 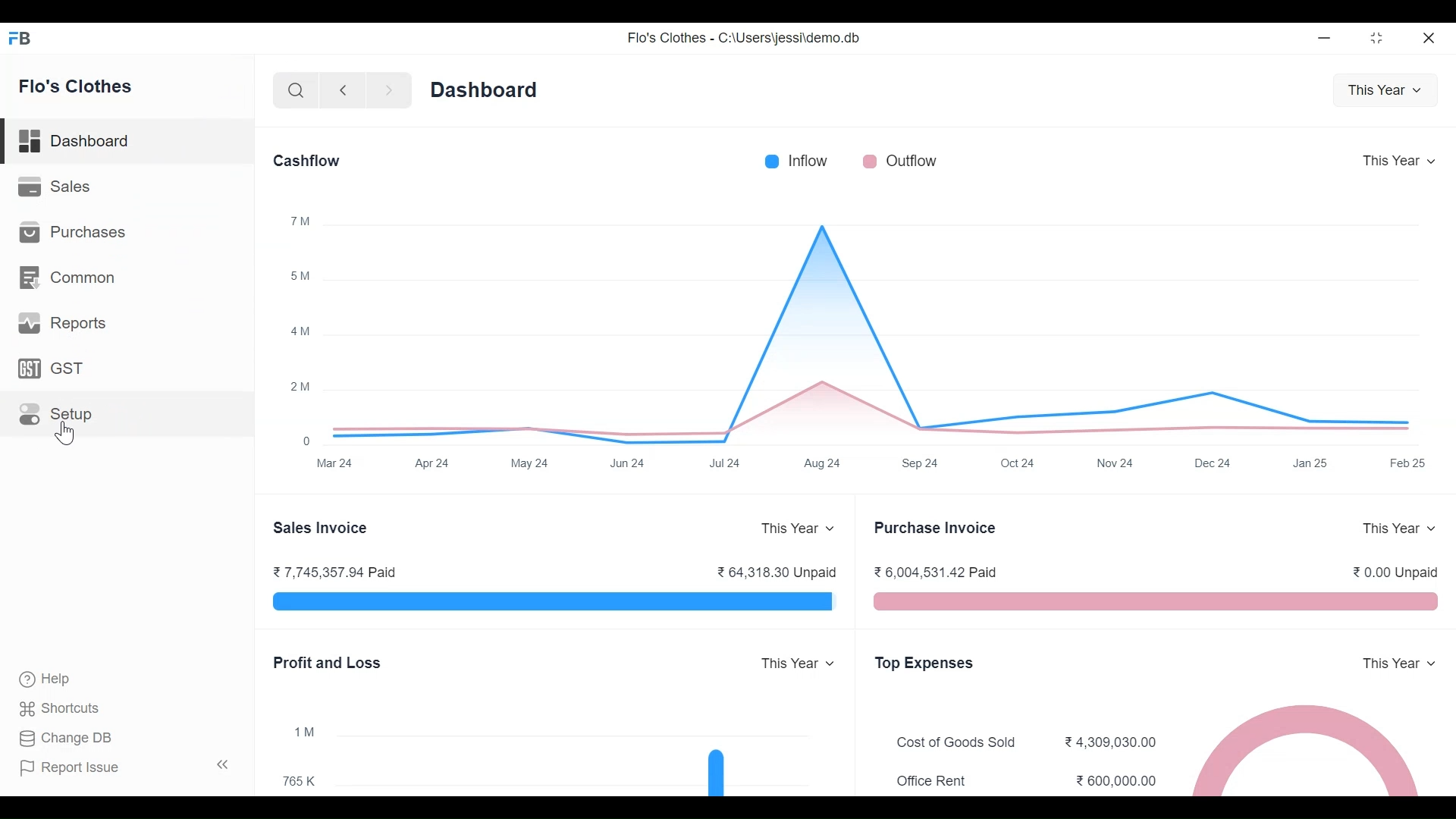 What do you see at coordinates (303, 732) in the screenshot?
I see `1M` at bounding box center [303, 732].